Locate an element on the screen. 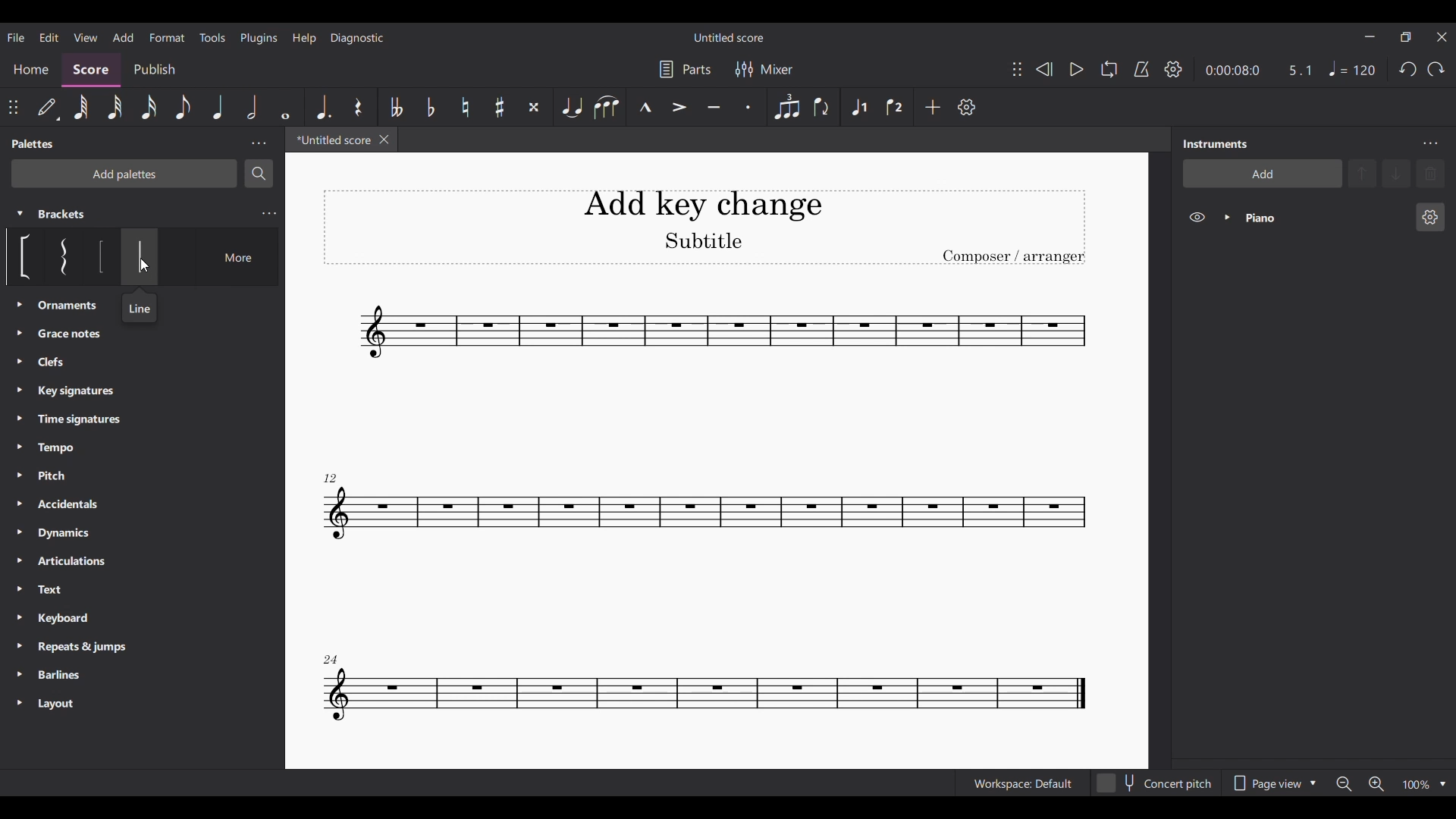 Image resolution: width=1456 pixels, height=819 pixels. Marcato is located at coordinates (645, 108).